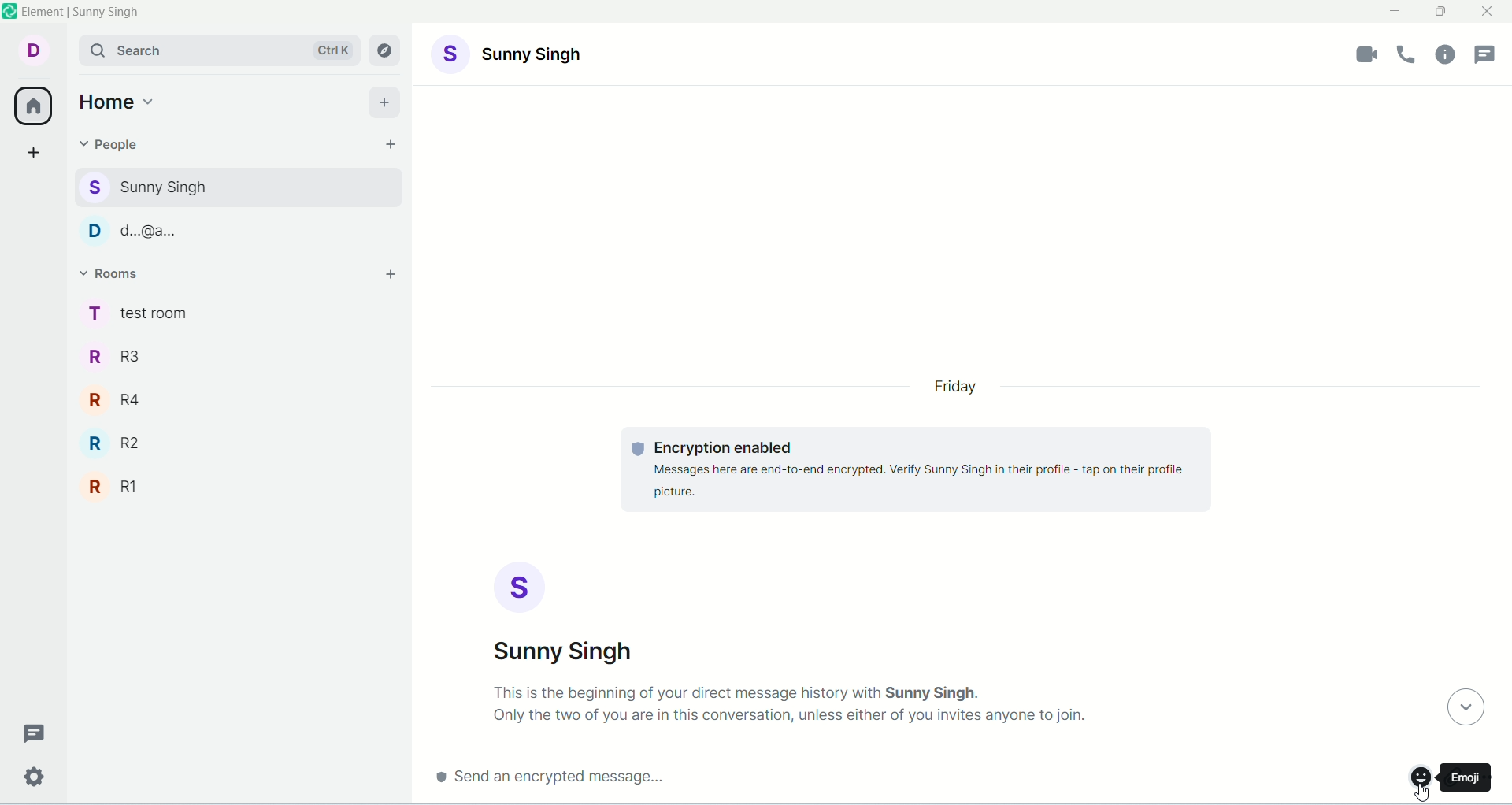 The image size is (1512, 805). What do you see at coordinates (387, 144) in the screenshot?
I see `start chat` at bounding box center [387, 144].